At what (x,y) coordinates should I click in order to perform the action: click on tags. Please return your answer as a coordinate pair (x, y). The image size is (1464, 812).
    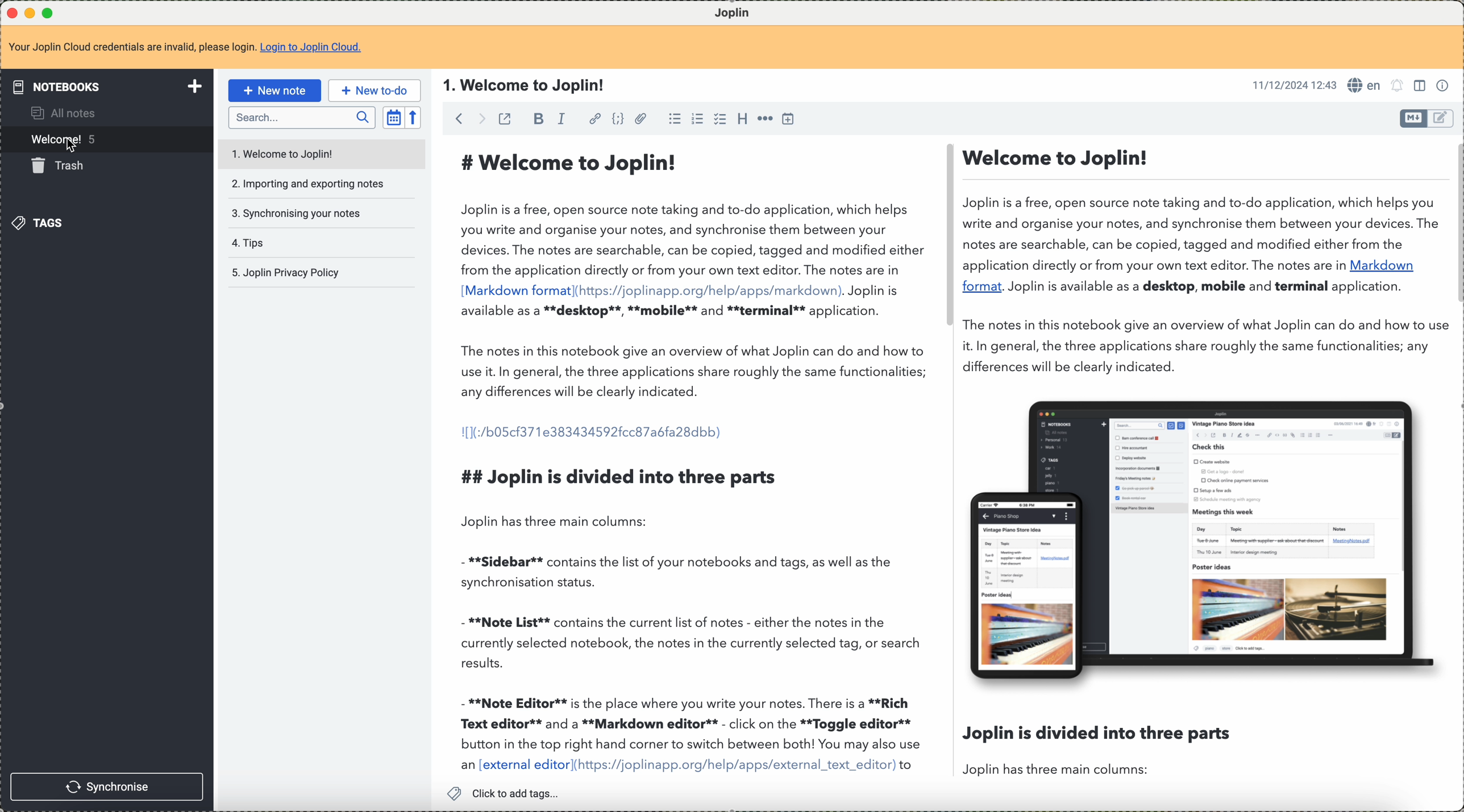
    Looking at the image, I should click on (45, 224).